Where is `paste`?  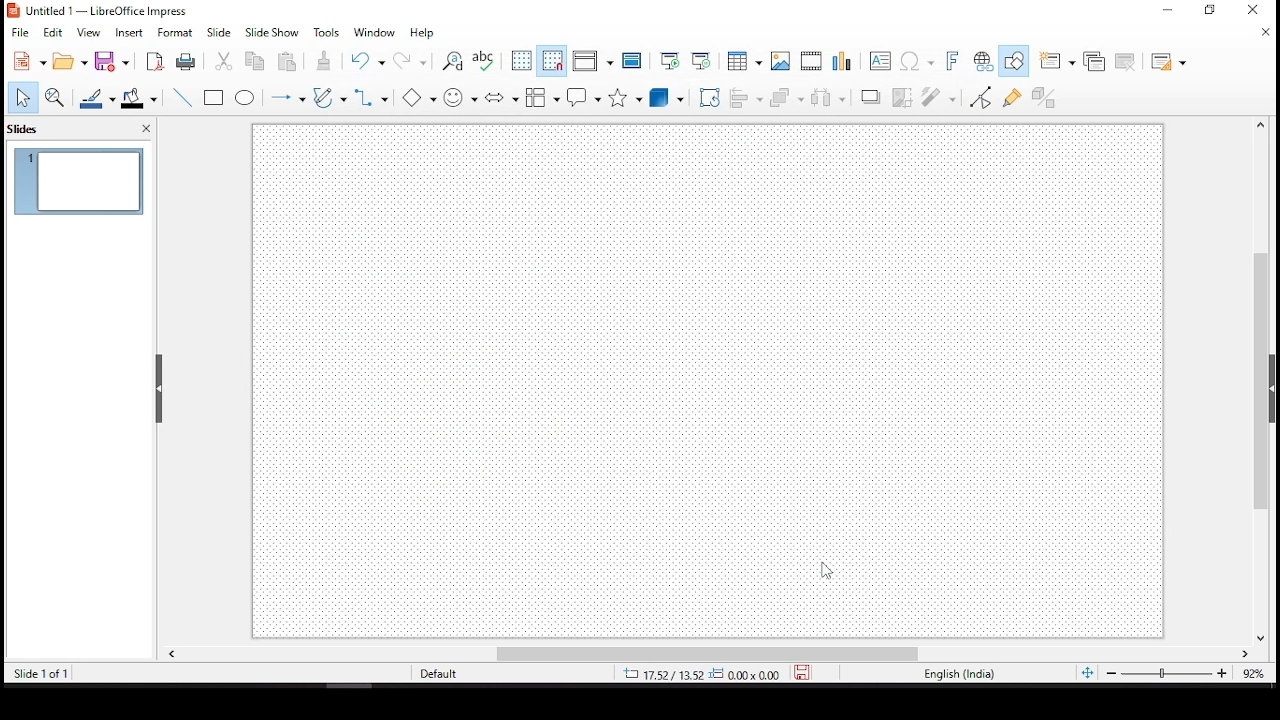 paste is located at coordinates (291, 60).